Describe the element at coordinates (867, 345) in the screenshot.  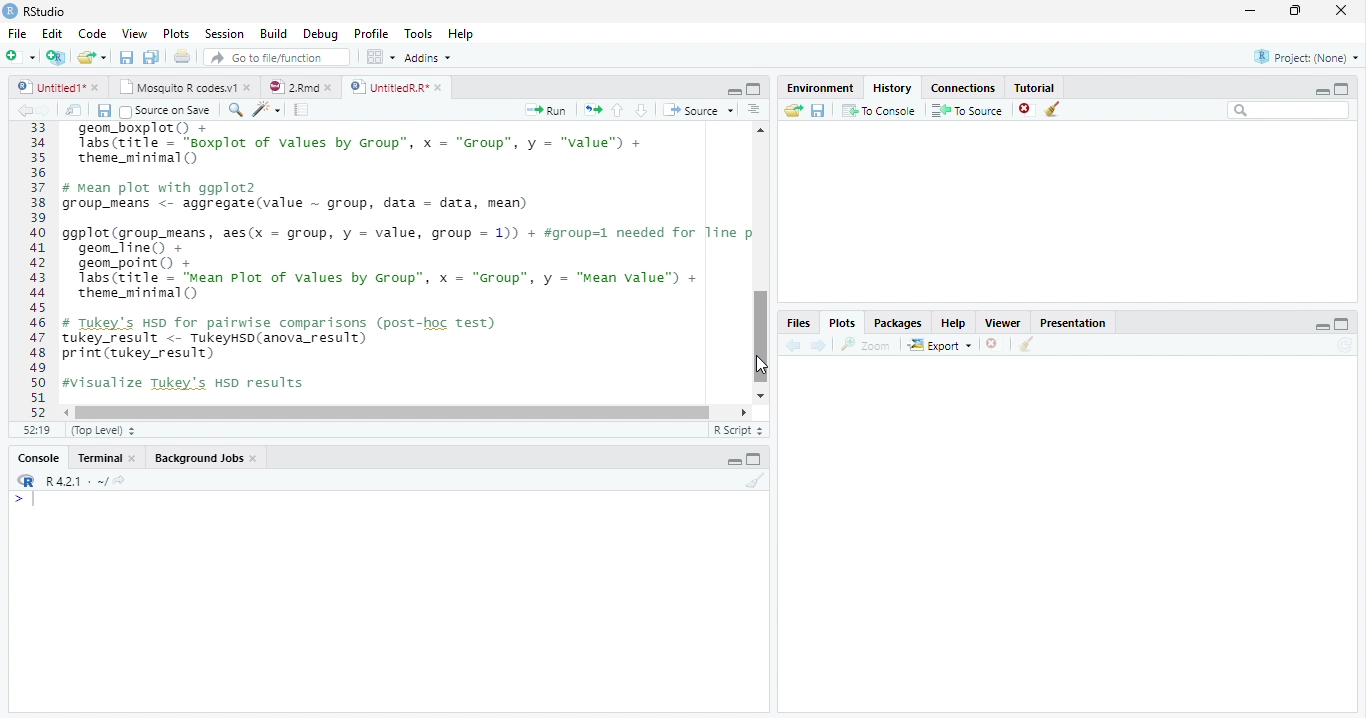
I see `Zoom` at that location.